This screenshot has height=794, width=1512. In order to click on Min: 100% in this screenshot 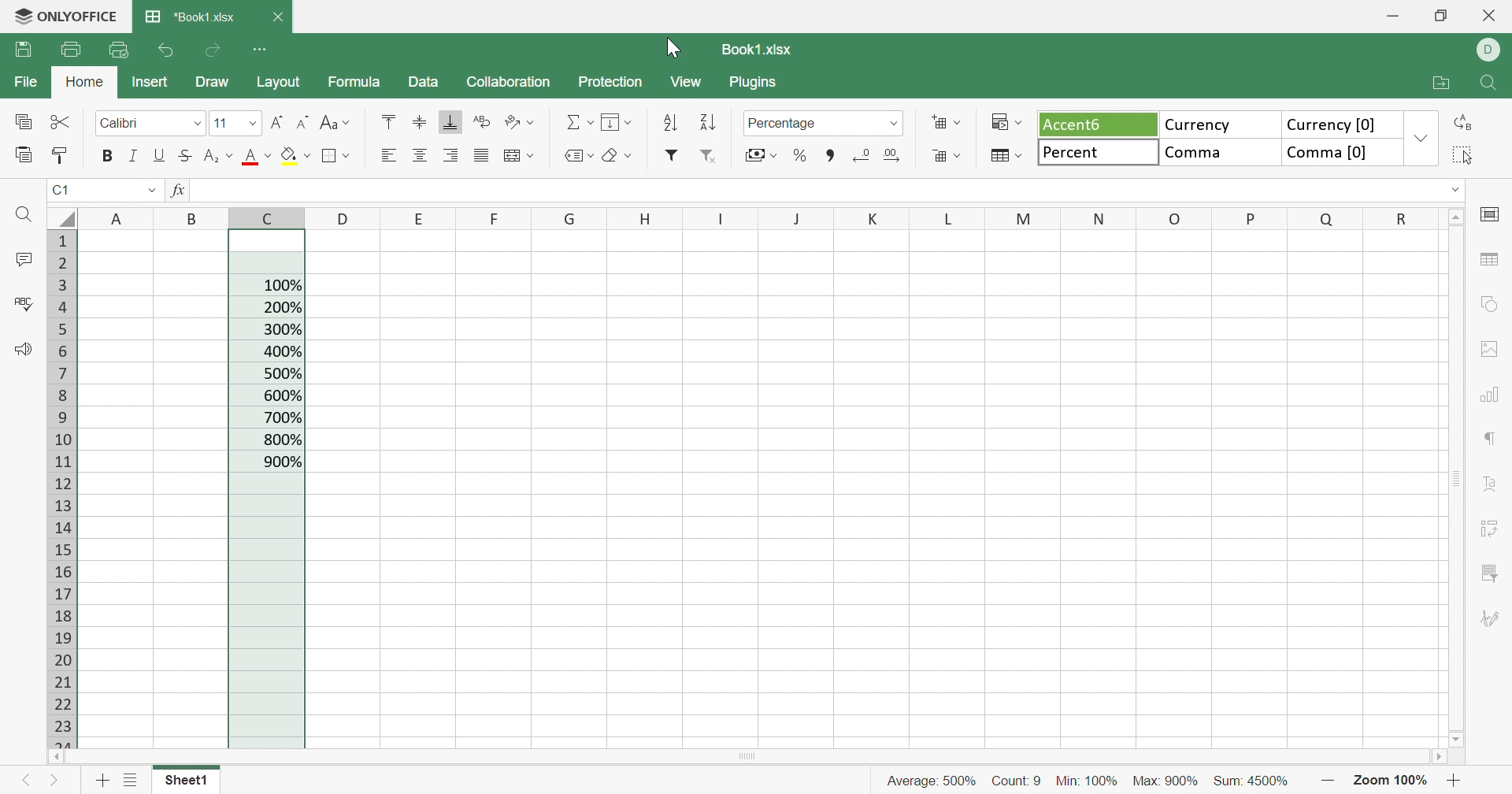, I will do `click(1089, 782)`.